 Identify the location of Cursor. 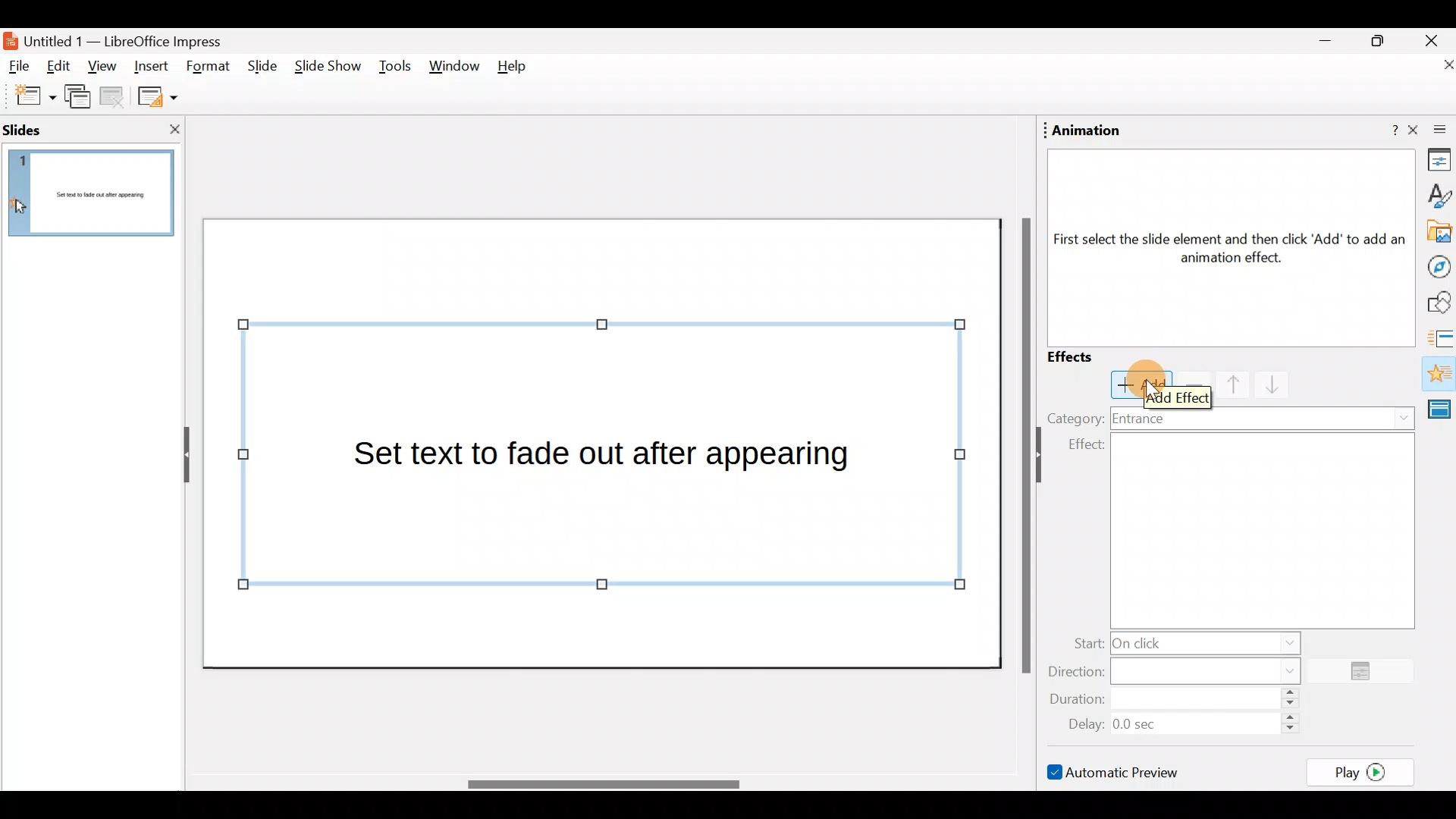
(1156, 391).